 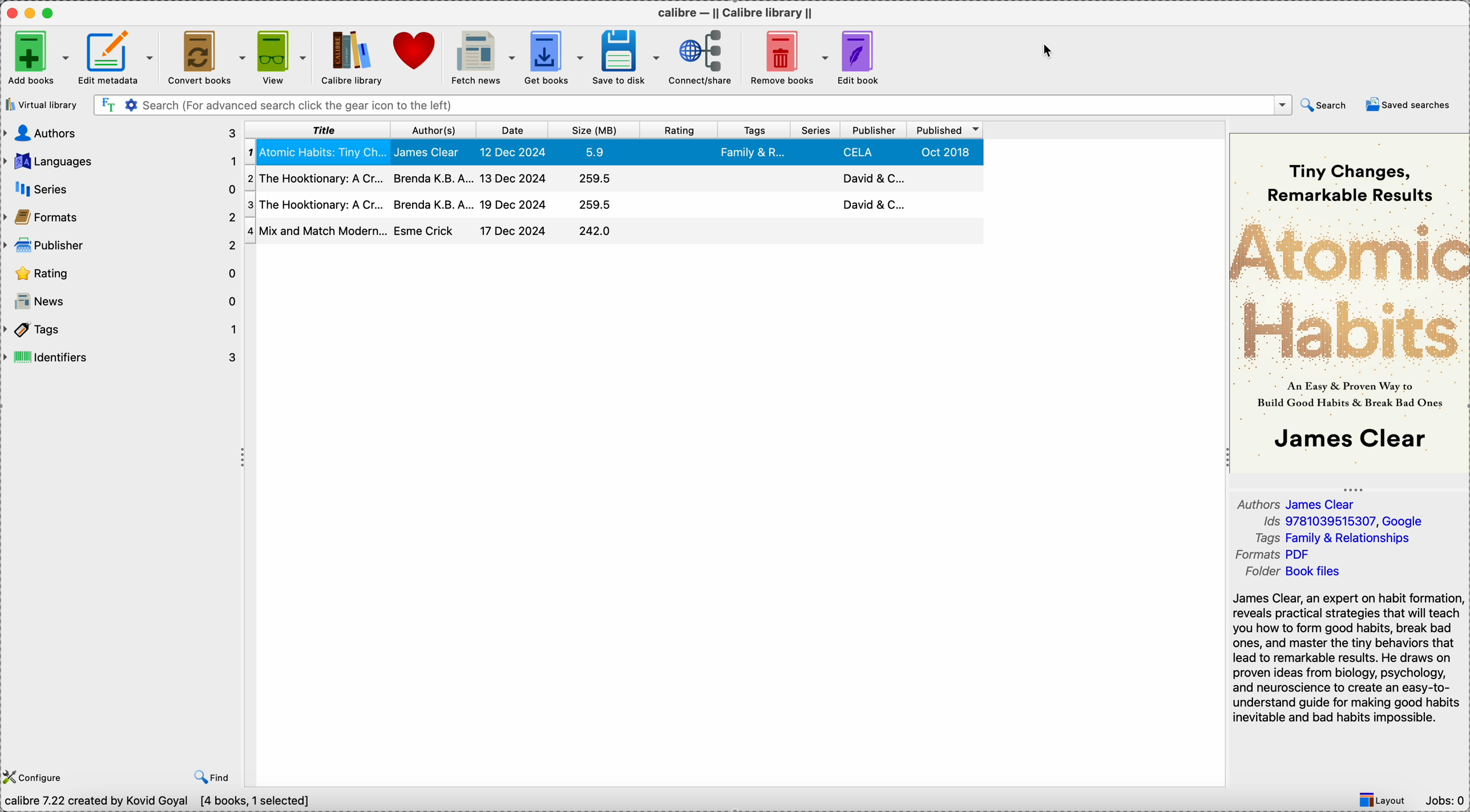 I want to click on fetch news, so click(x=481, y=58).